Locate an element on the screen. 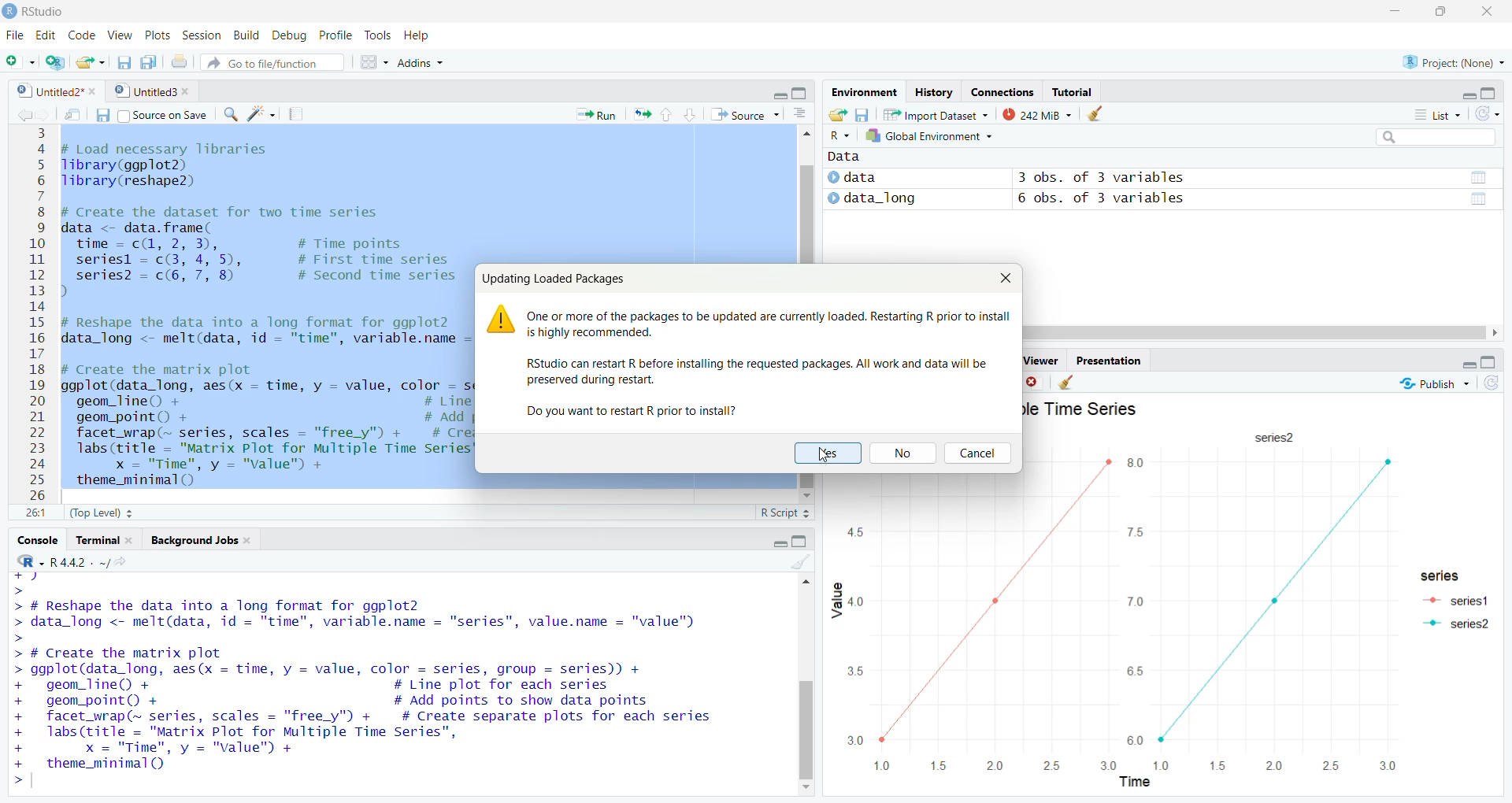  Help is located at coordinates (416, 35).